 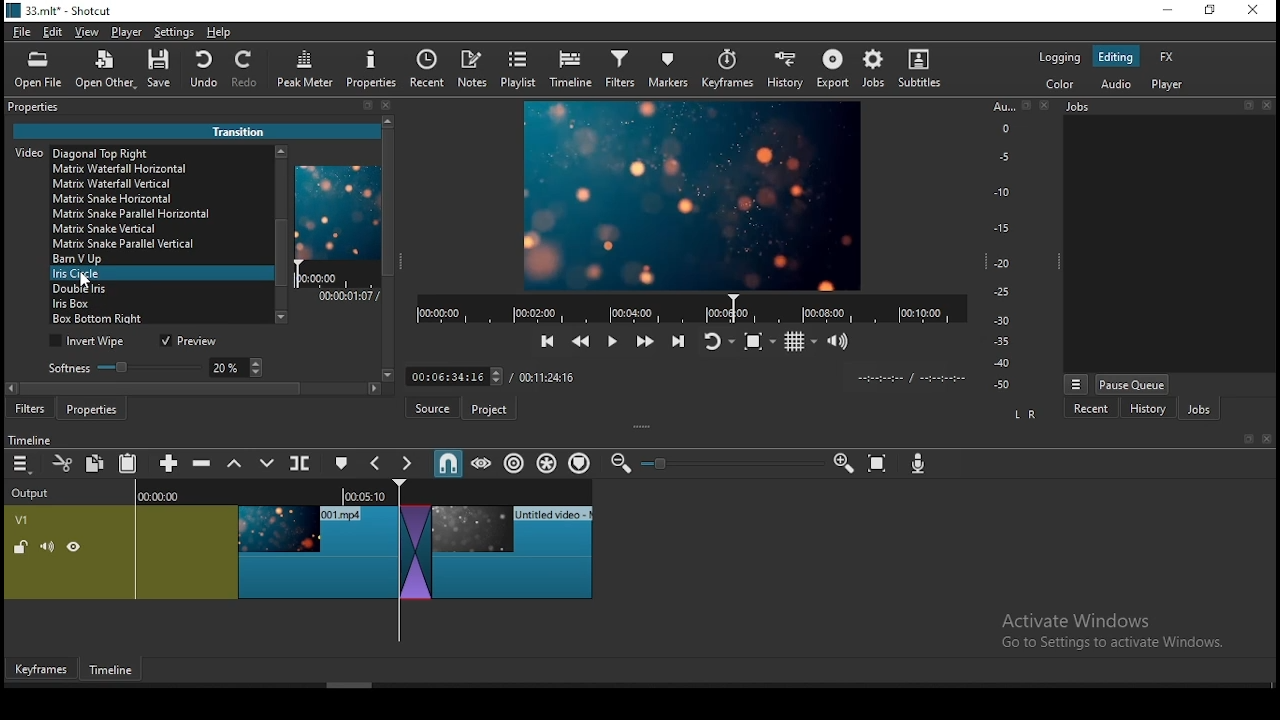 What do you see at coordinates (157, 245) in the screenshot?
I see `transition option` at bounding box center [157, 245].